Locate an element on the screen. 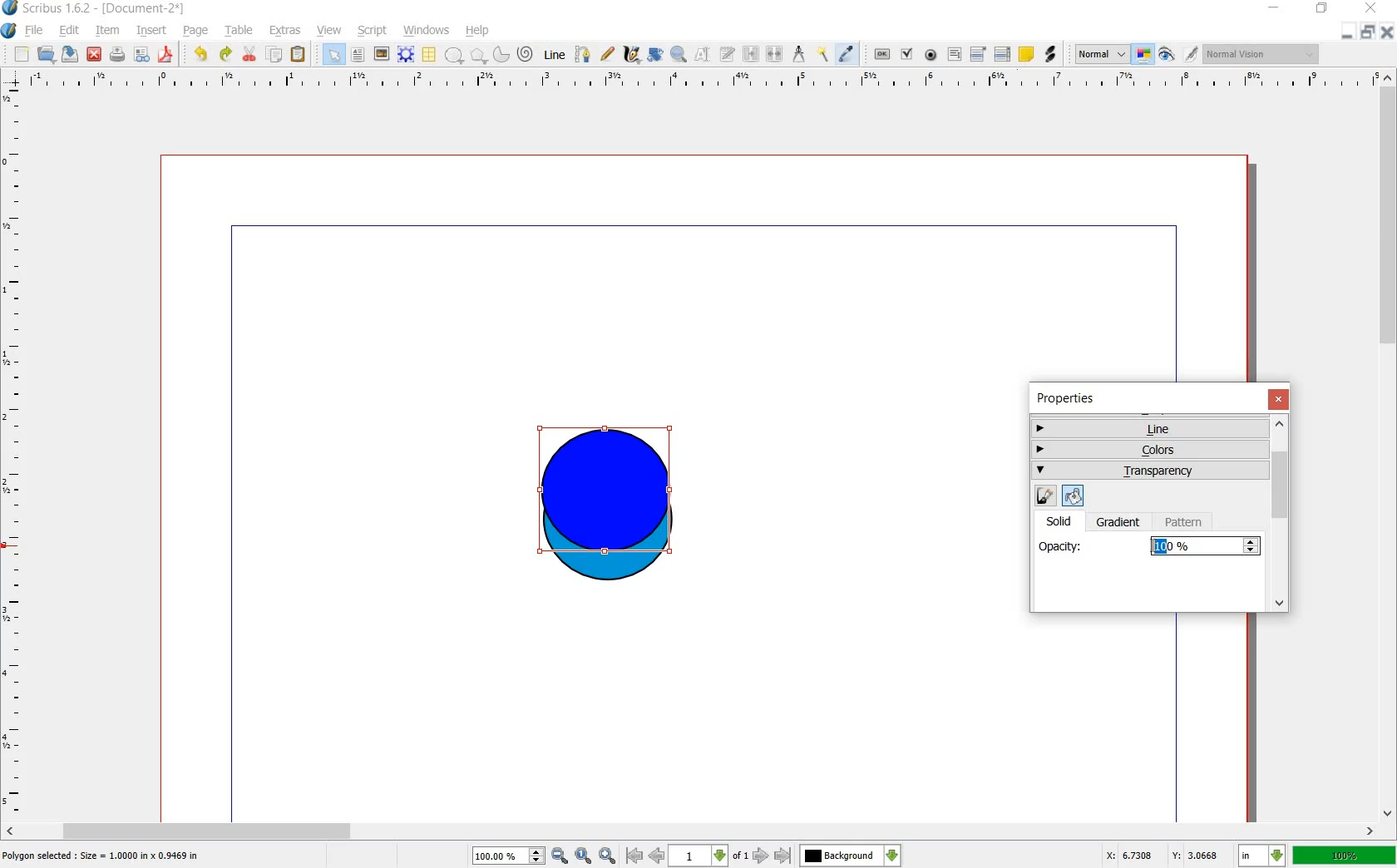 This screenshot has height=868, width=1397. polygon is located at coordinates (477, 56).